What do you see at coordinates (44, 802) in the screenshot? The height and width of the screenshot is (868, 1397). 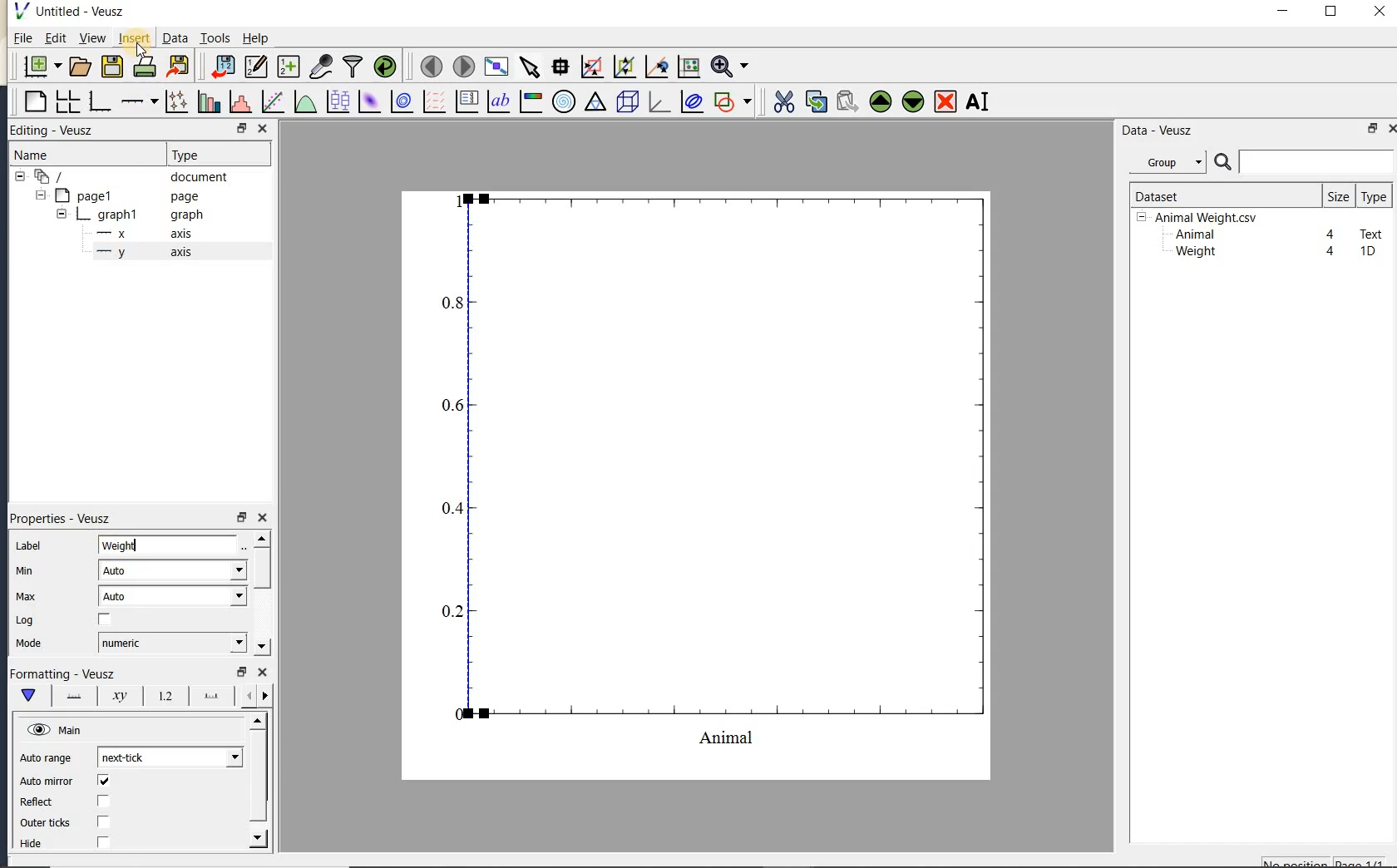 I see `Reflect` at bounding box center [44, 802].